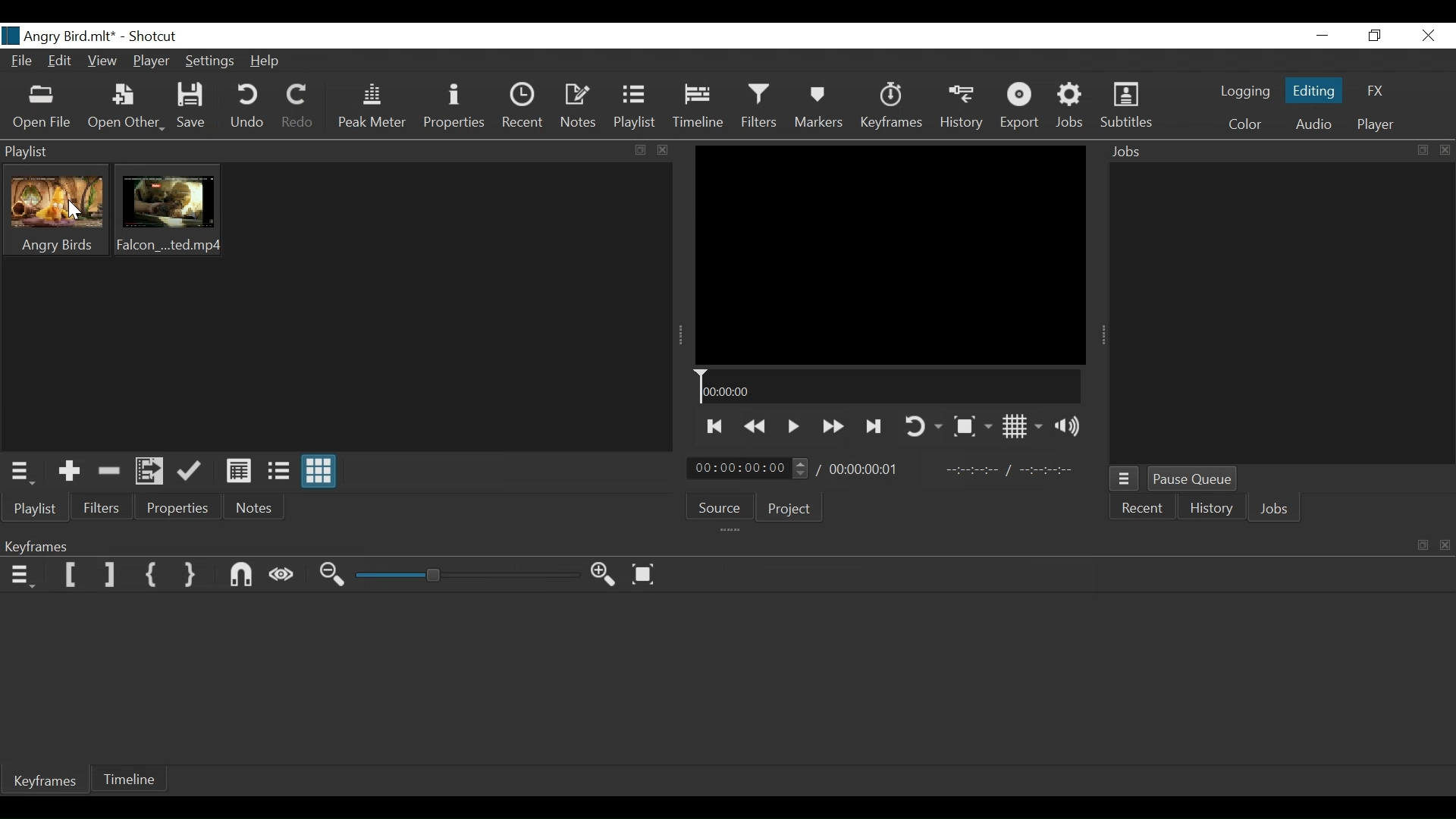 Image resolution: width=1456 pixels, height=819 pixels. Describe the element at coordinates (249, 108) in the screenshot. I see `Undo` at that location.